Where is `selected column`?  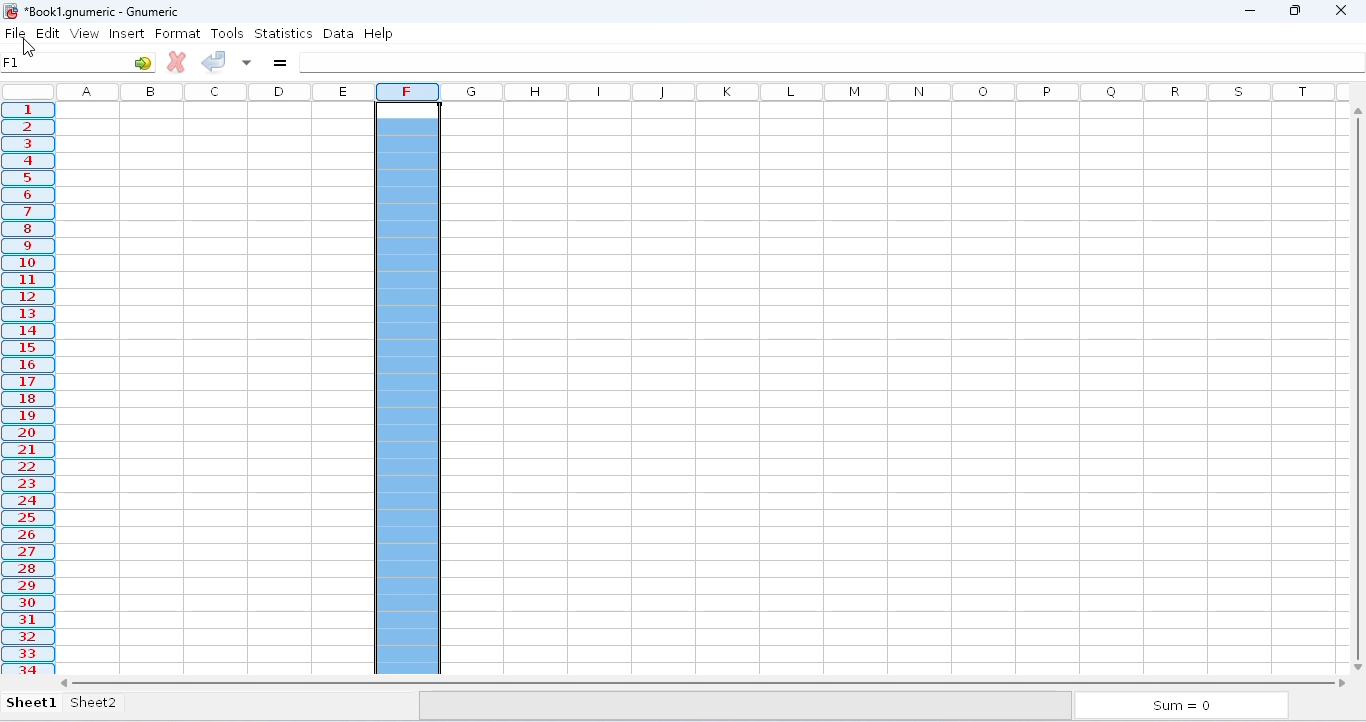 selected column is located at coordinates (27, 388).